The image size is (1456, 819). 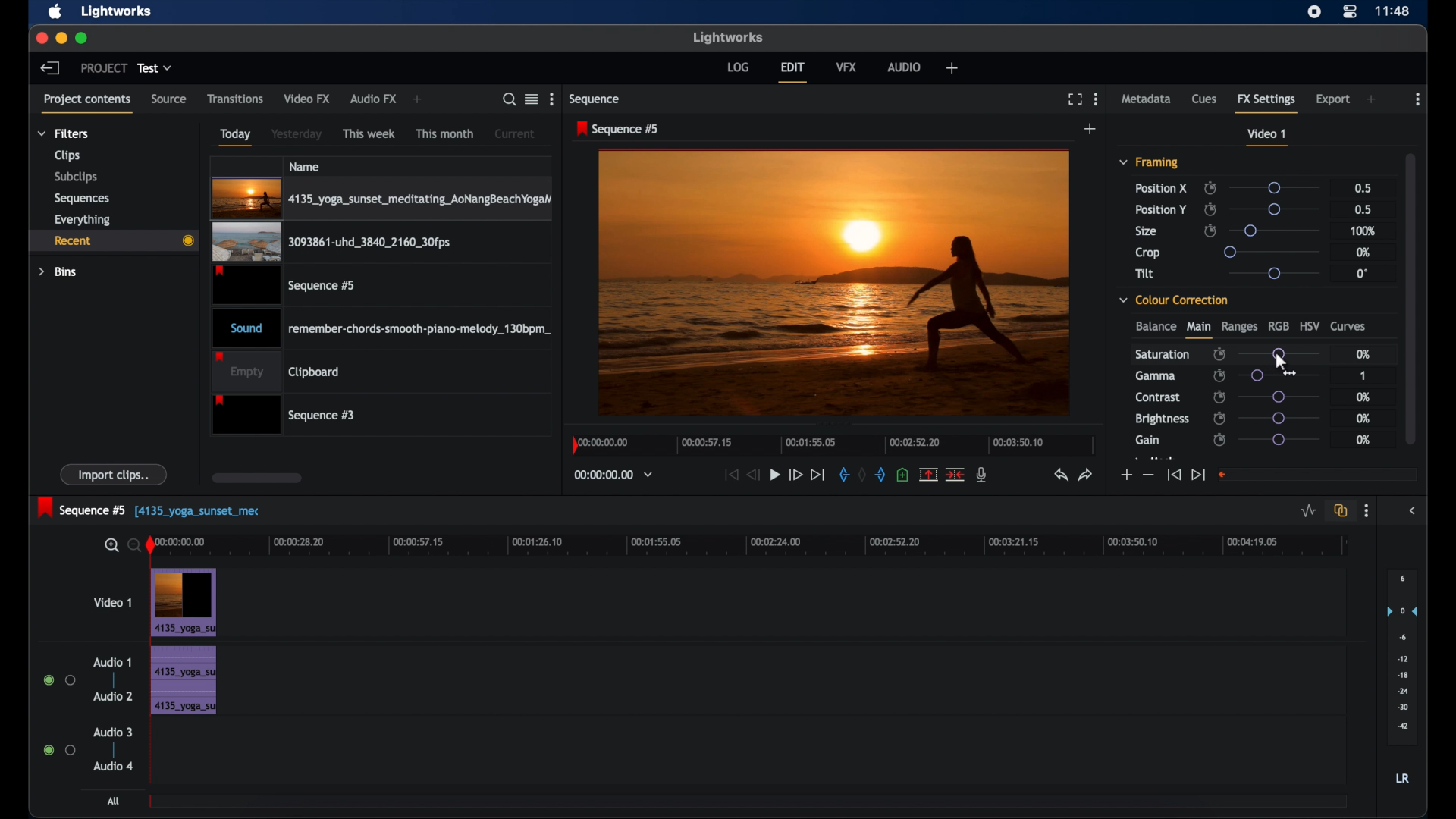 I want to click on video fx, so click(x=308, y=99).